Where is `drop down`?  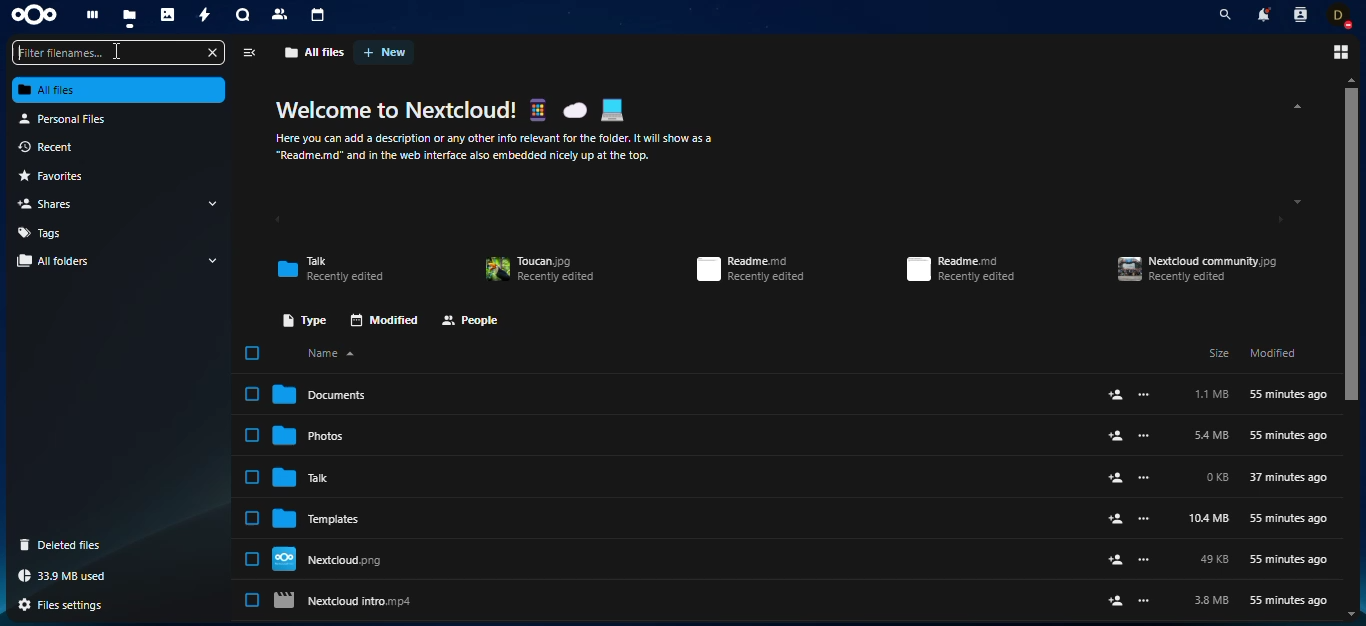
drop down is located at coordinates (212, 203).